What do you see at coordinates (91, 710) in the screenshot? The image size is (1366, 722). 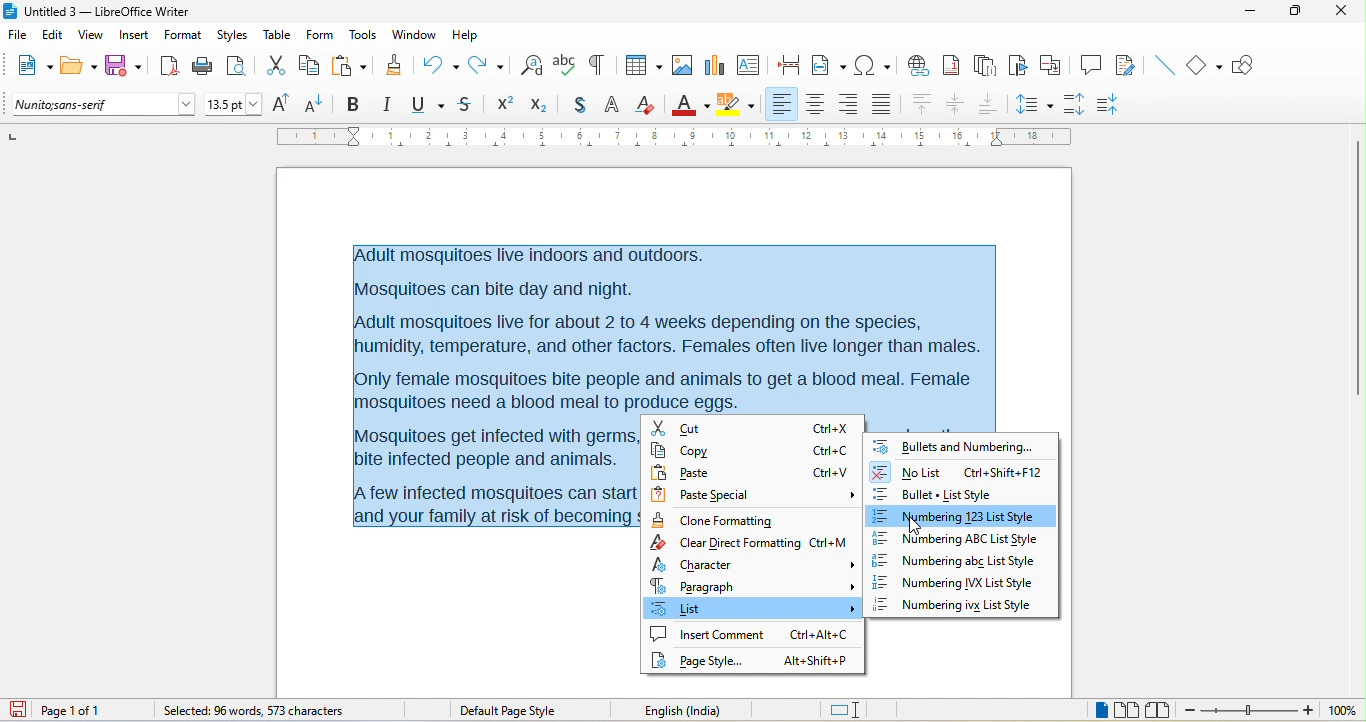 I see `page 1 of 1` at bounding box center [91, 710].